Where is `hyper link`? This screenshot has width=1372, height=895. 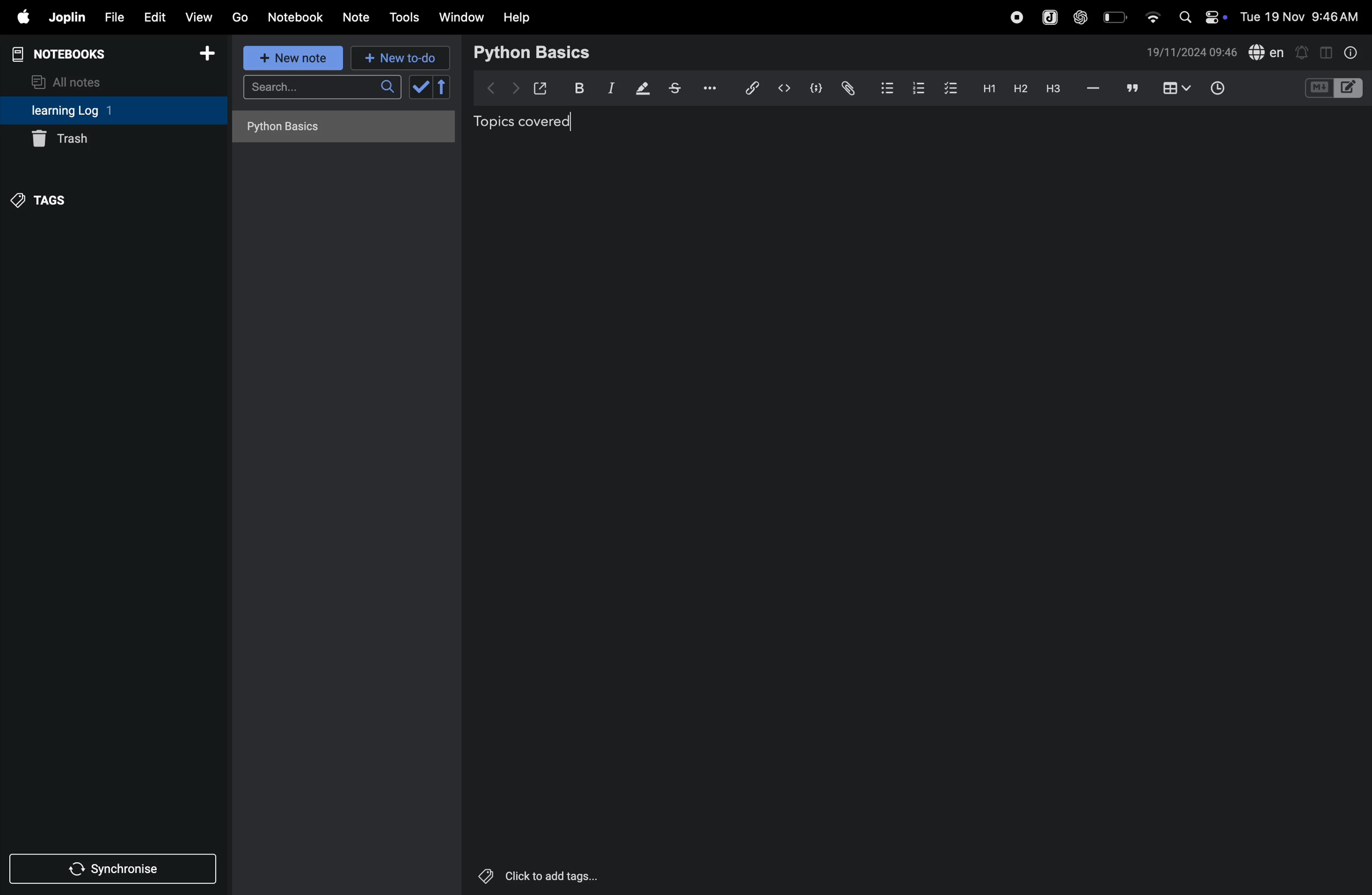
hyper link is located at coordinates (751, 88).